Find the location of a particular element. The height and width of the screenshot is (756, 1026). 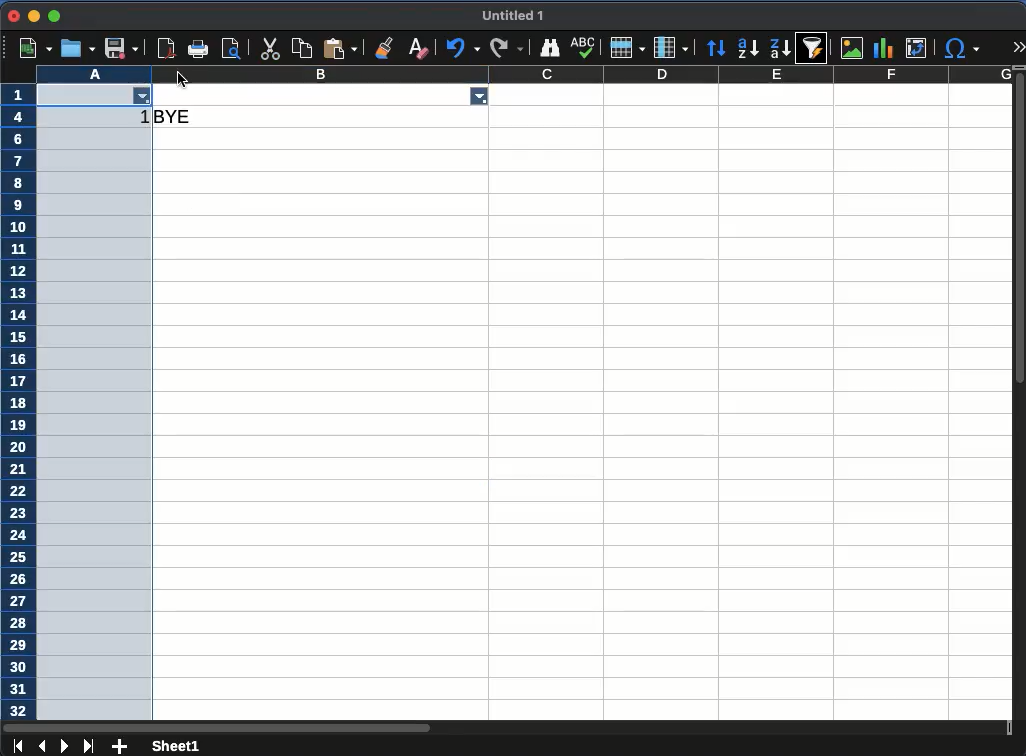

special characters is located at coordinates (961, 48).